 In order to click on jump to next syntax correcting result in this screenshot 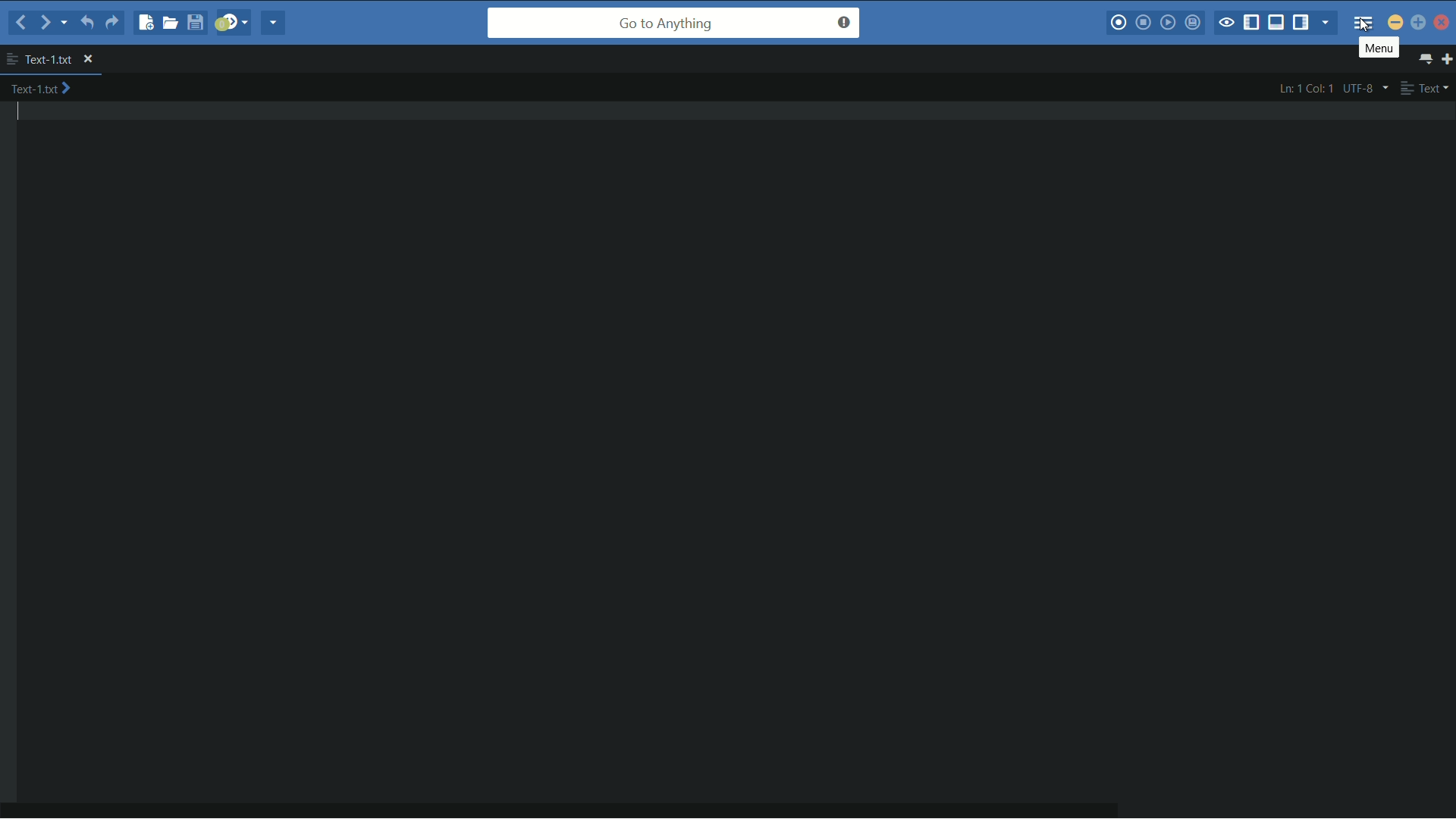, I will do `click(233, 22)`.